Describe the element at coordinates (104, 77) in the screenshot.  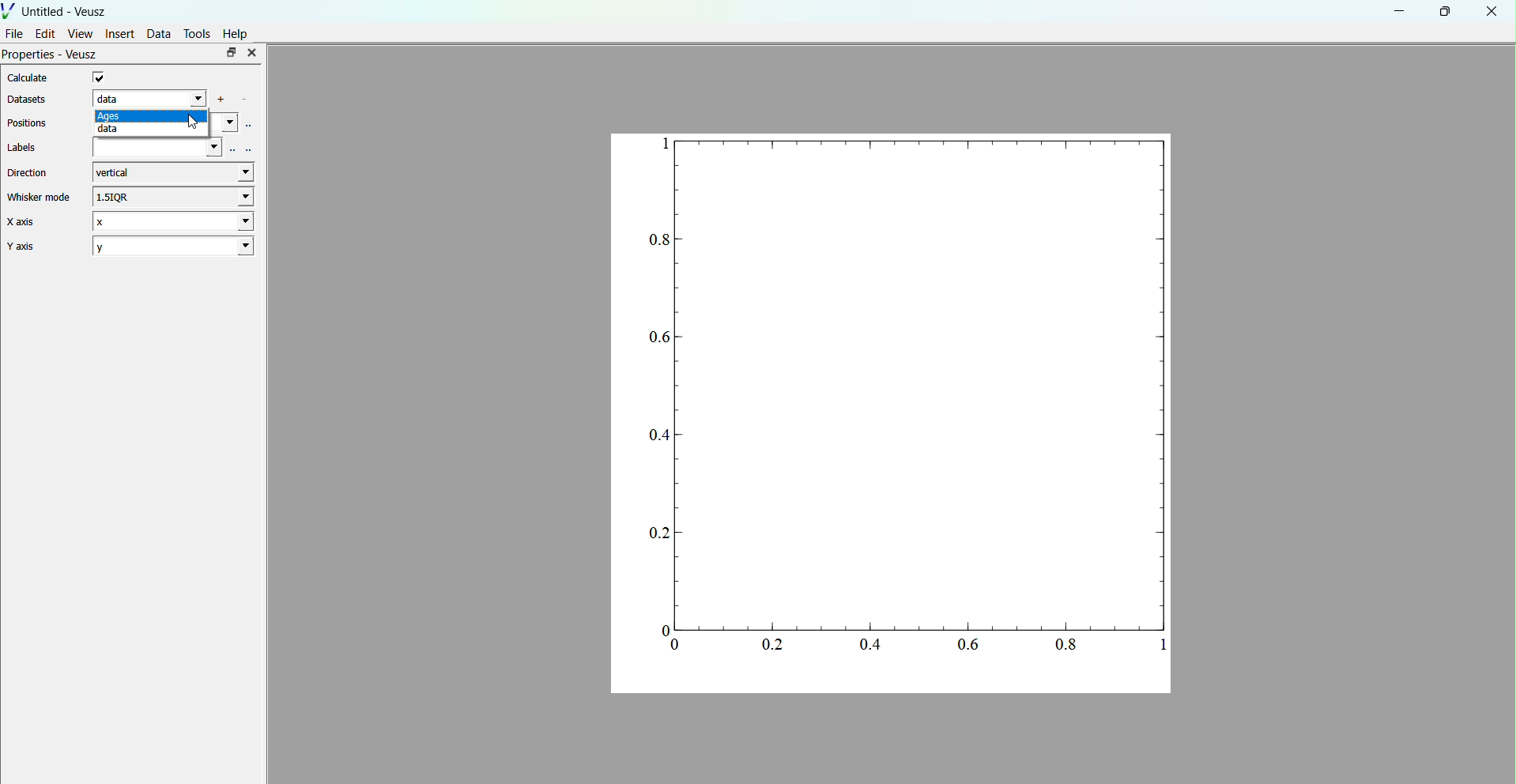
I see `checkbox` at that location.